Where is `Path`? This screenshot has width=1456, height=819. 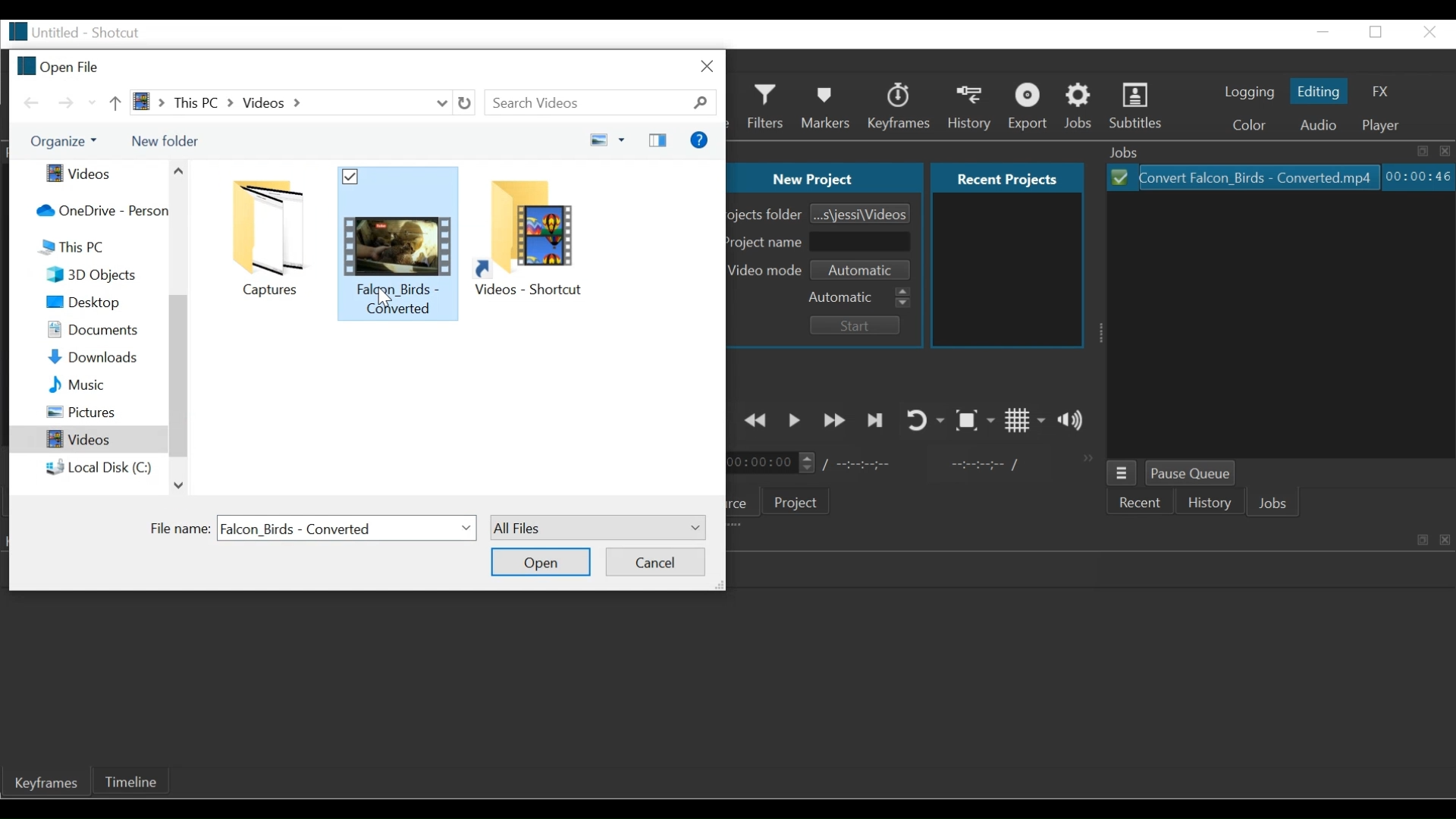 Path is located at coordinates (290, 102).